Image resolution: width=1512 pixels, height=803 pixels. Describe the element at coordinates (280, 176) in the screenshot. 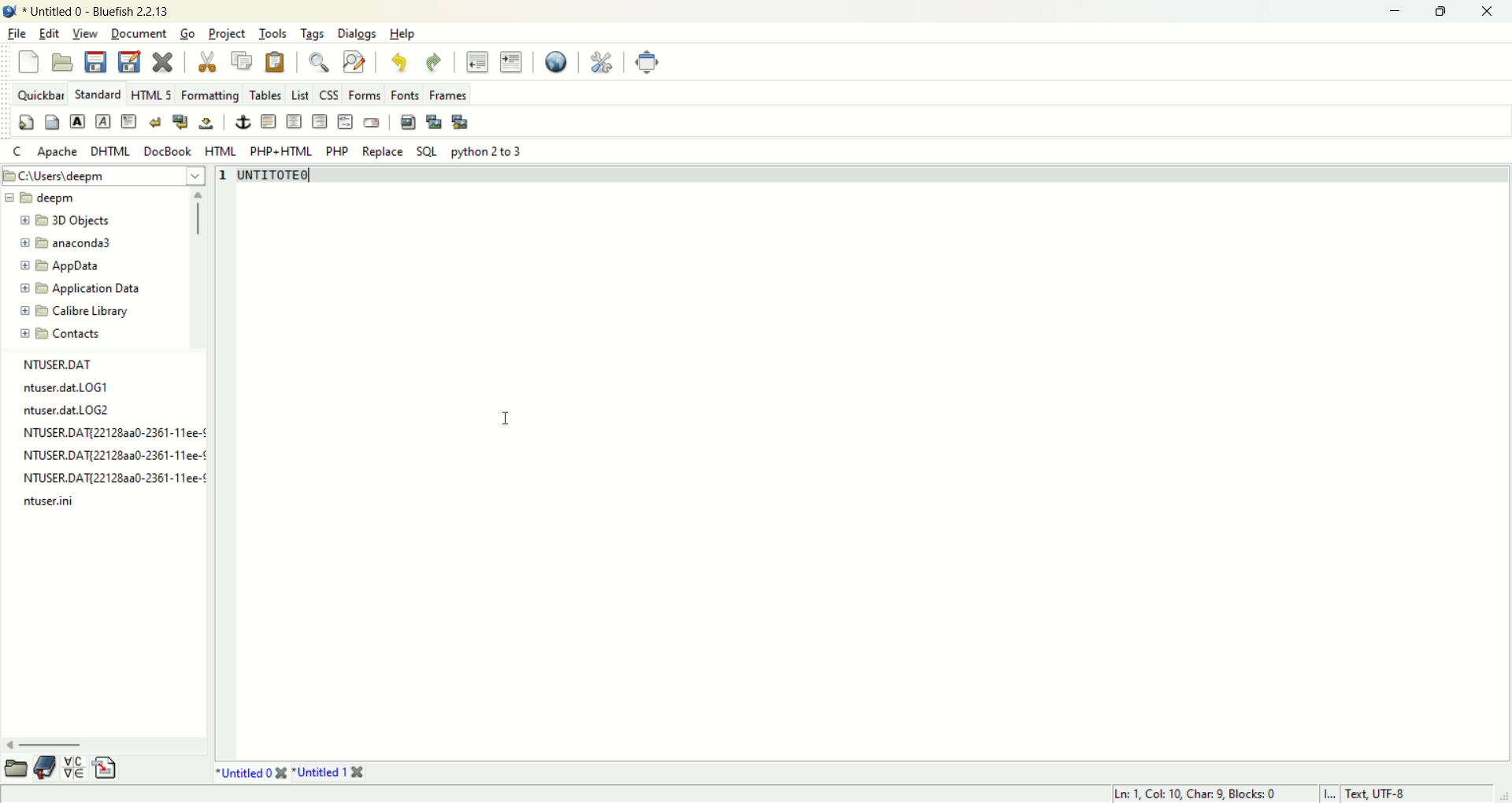

I see `title` at that location.